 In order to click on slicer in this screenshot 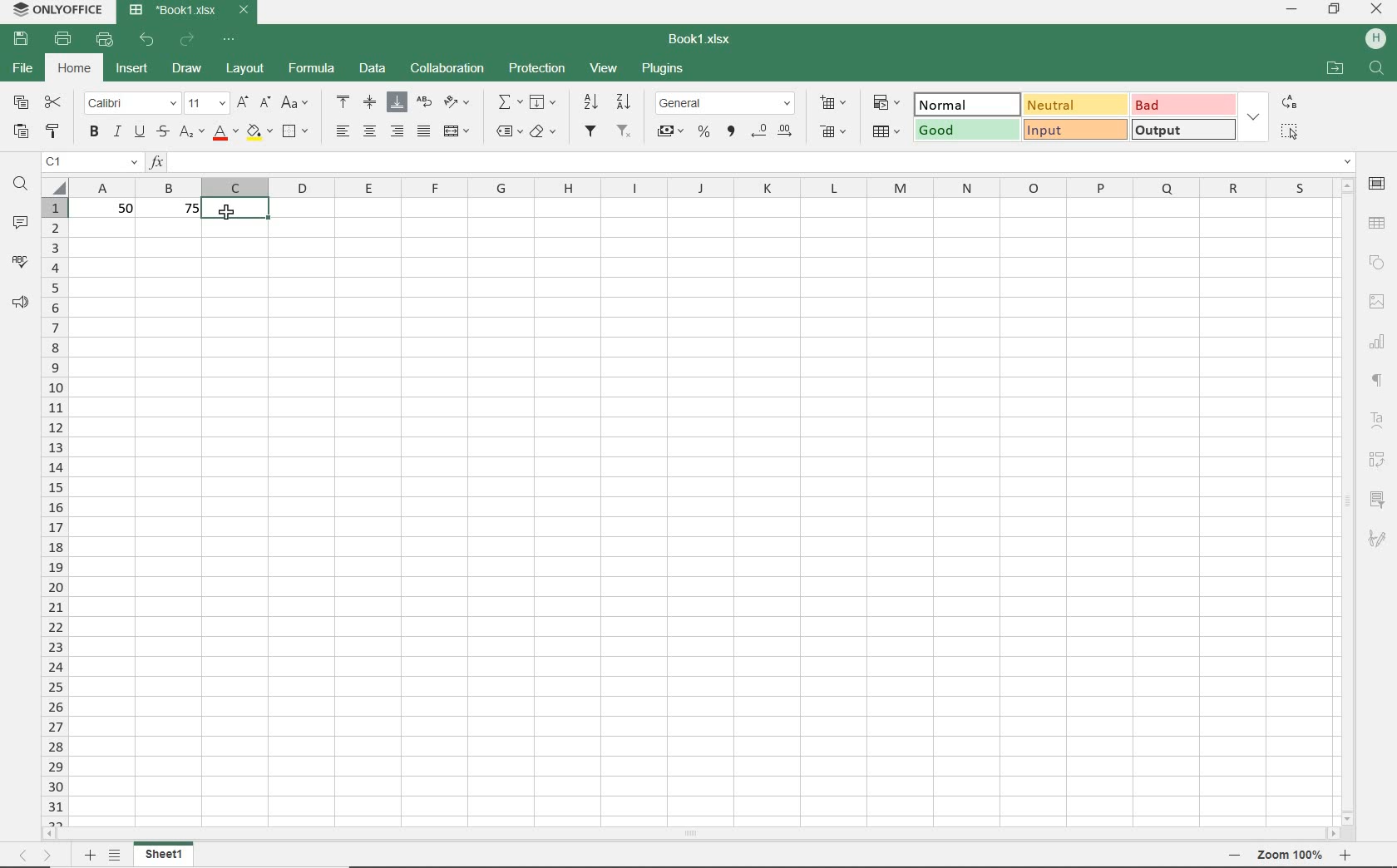, I will do `click(1380, 498)`.